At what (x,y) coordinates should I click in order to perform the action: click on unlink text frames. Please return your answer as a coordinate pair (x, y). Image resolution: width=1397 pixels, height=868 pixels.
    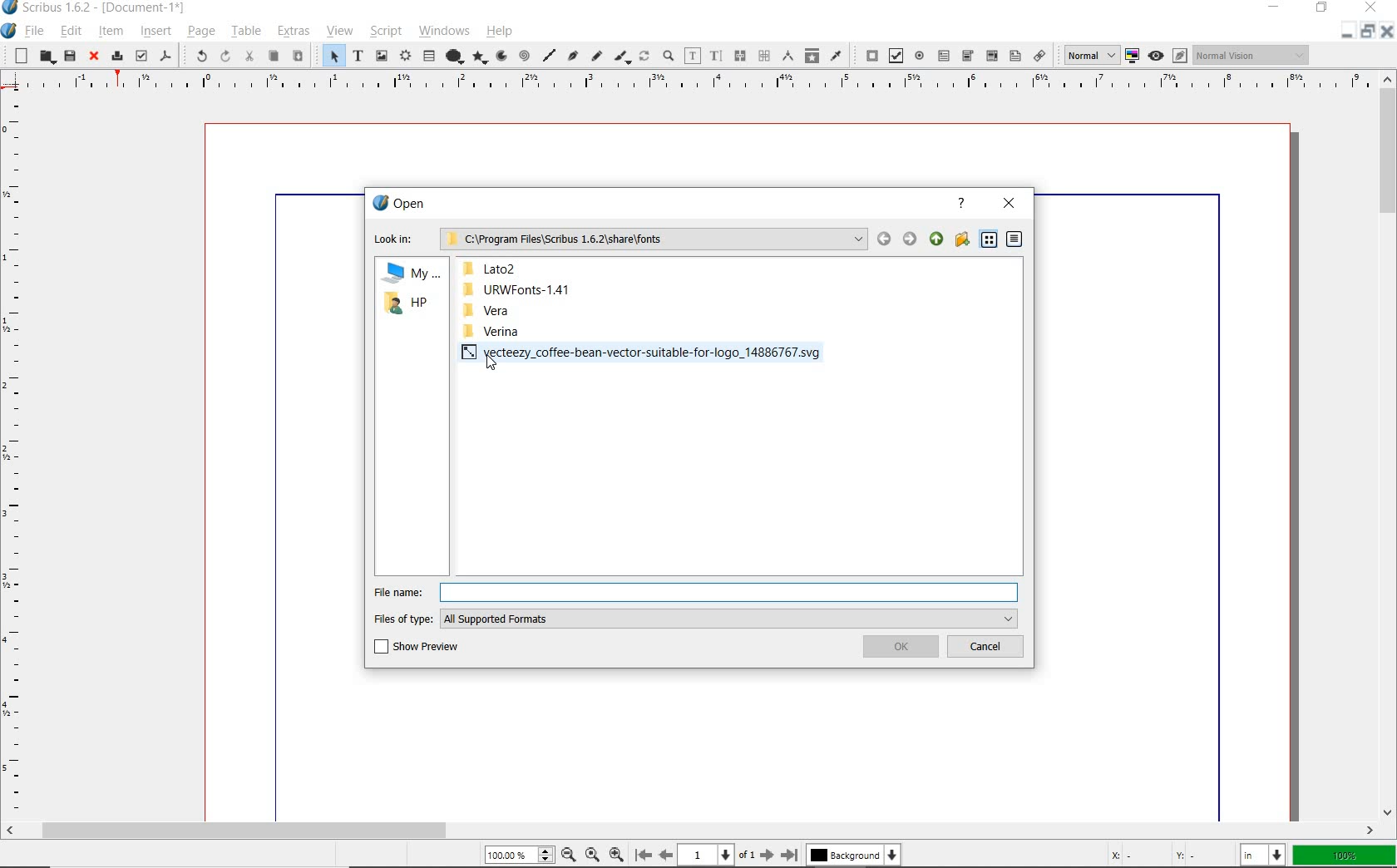
    Looking at the image, I should click on (764, 55).